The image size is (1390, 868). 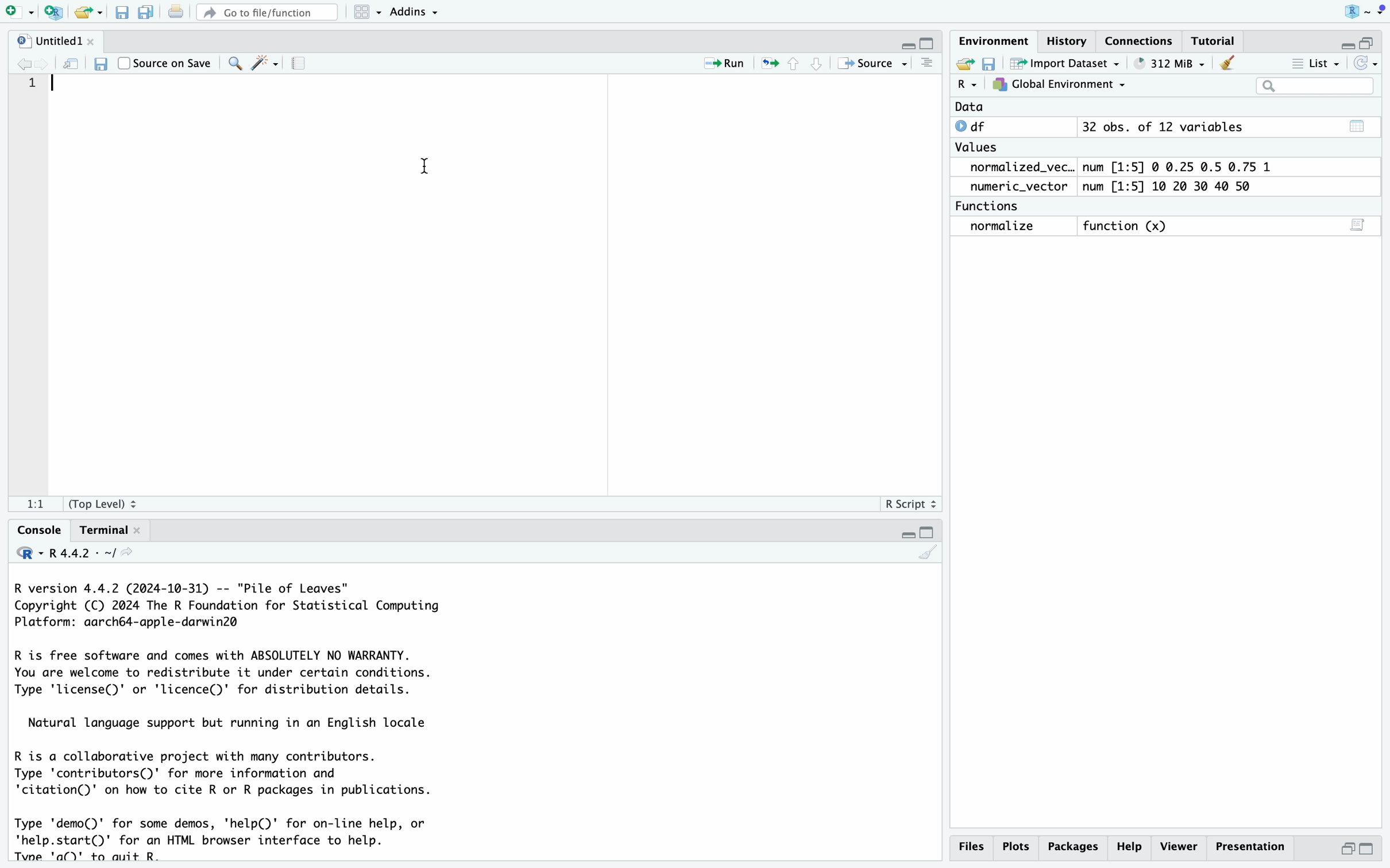 What do you see at coordinates (78, 11) in the screenshot?
I see `RStudio` at bounding box center [78, 11].